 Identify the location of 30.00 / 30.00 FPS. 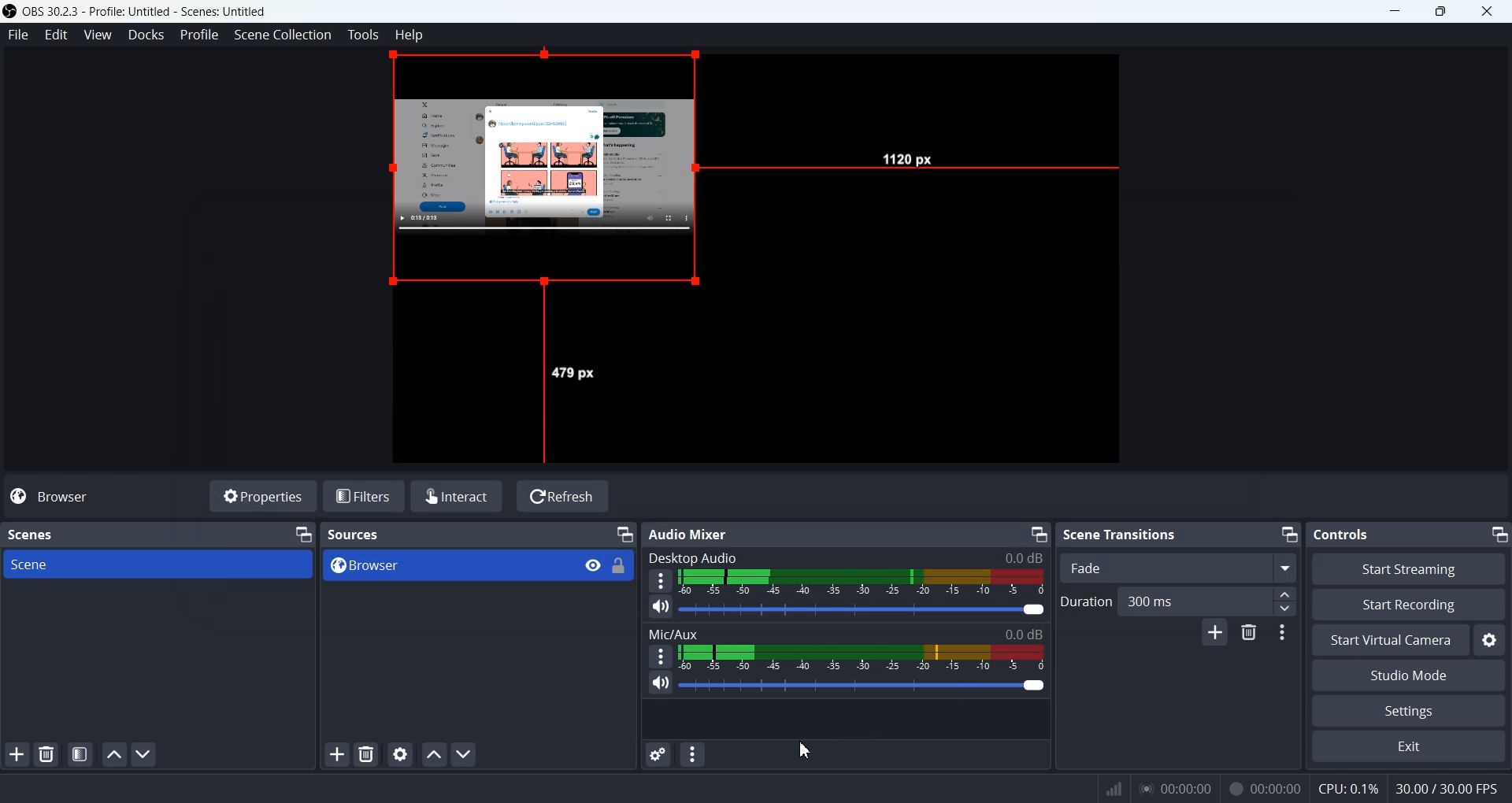
(1451, 789).